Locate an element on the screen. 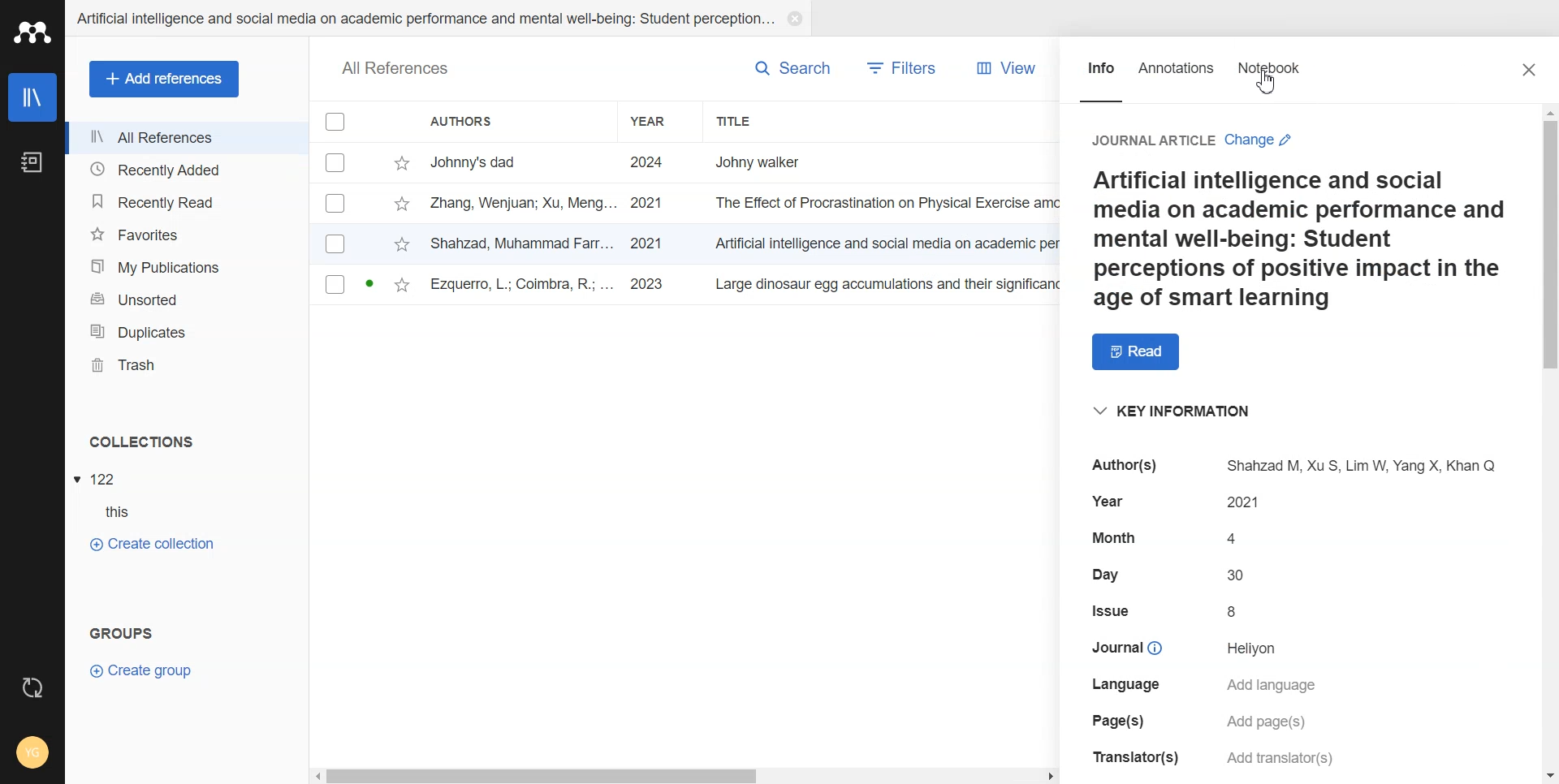 The width and height of the screenshot is (1559, 784). Close is located at coordinates (794, 19).